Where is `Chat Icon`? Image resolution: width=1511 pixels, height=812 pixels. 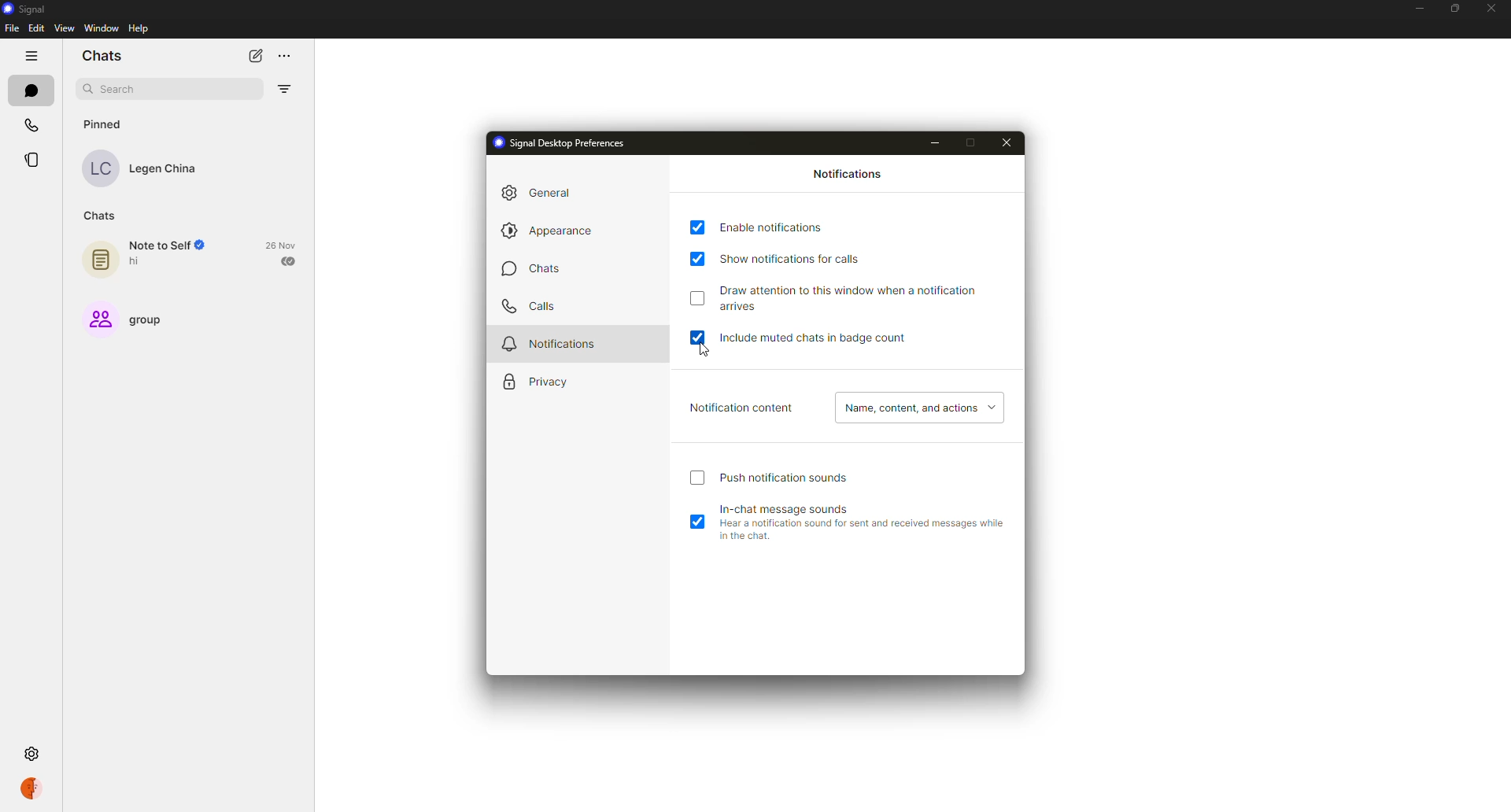
Chat Icon is located at coordinates (101, 260).